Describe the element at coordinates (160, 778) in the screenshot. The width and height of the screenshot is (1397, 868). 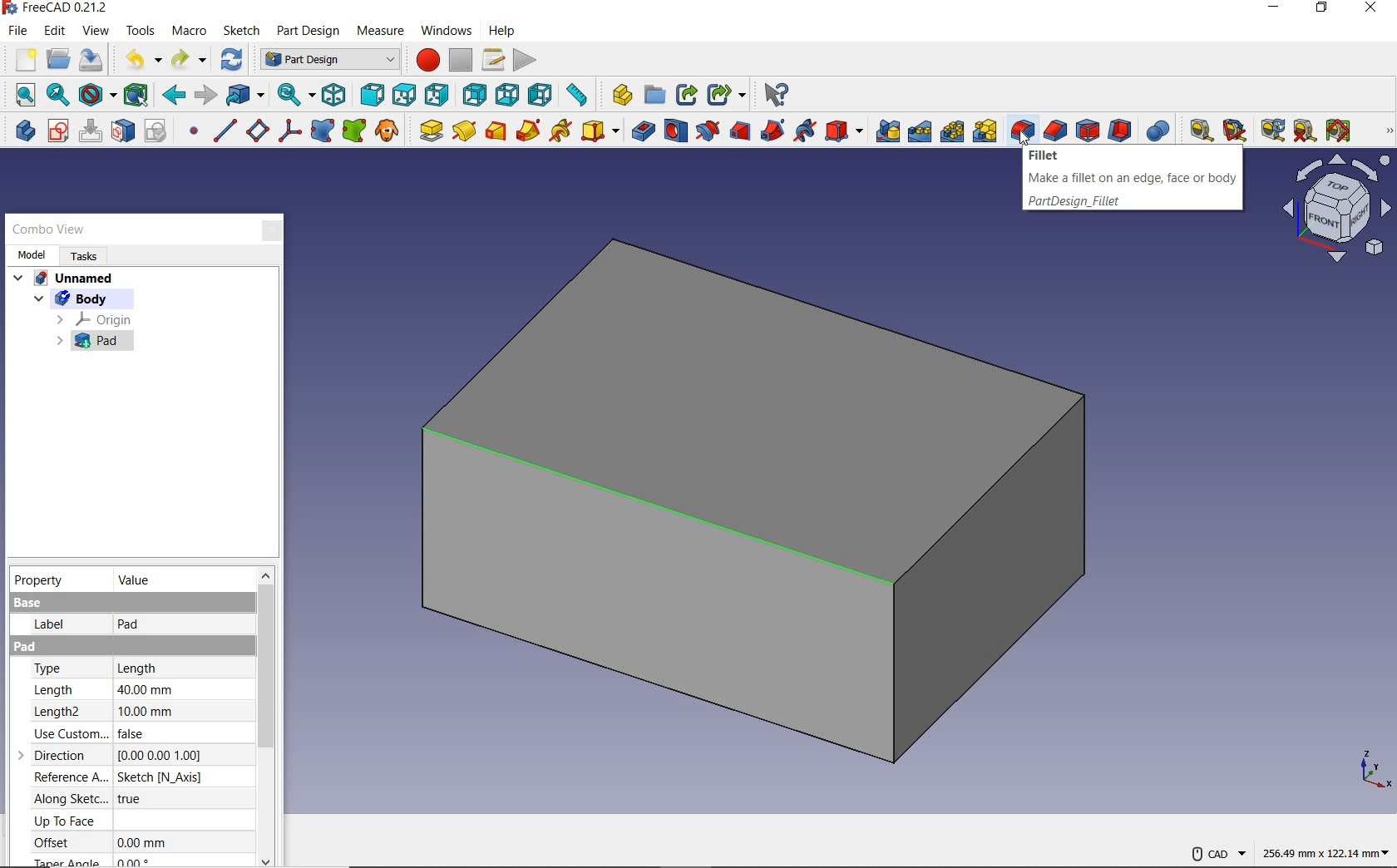
I see `Sketch [N Axis]` at that location.